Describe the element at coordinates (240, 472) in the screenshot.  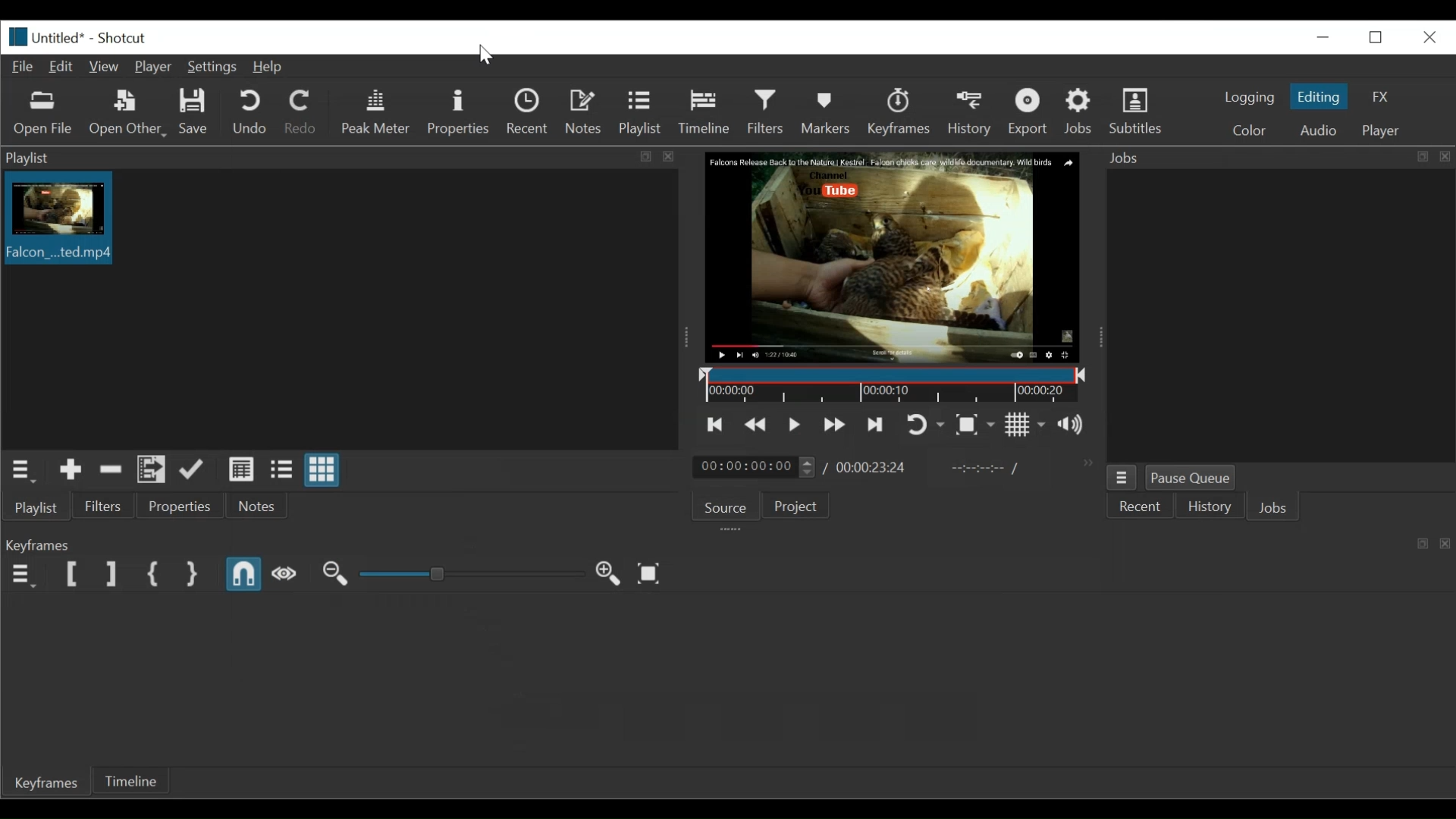
I see `View as details` at that location.